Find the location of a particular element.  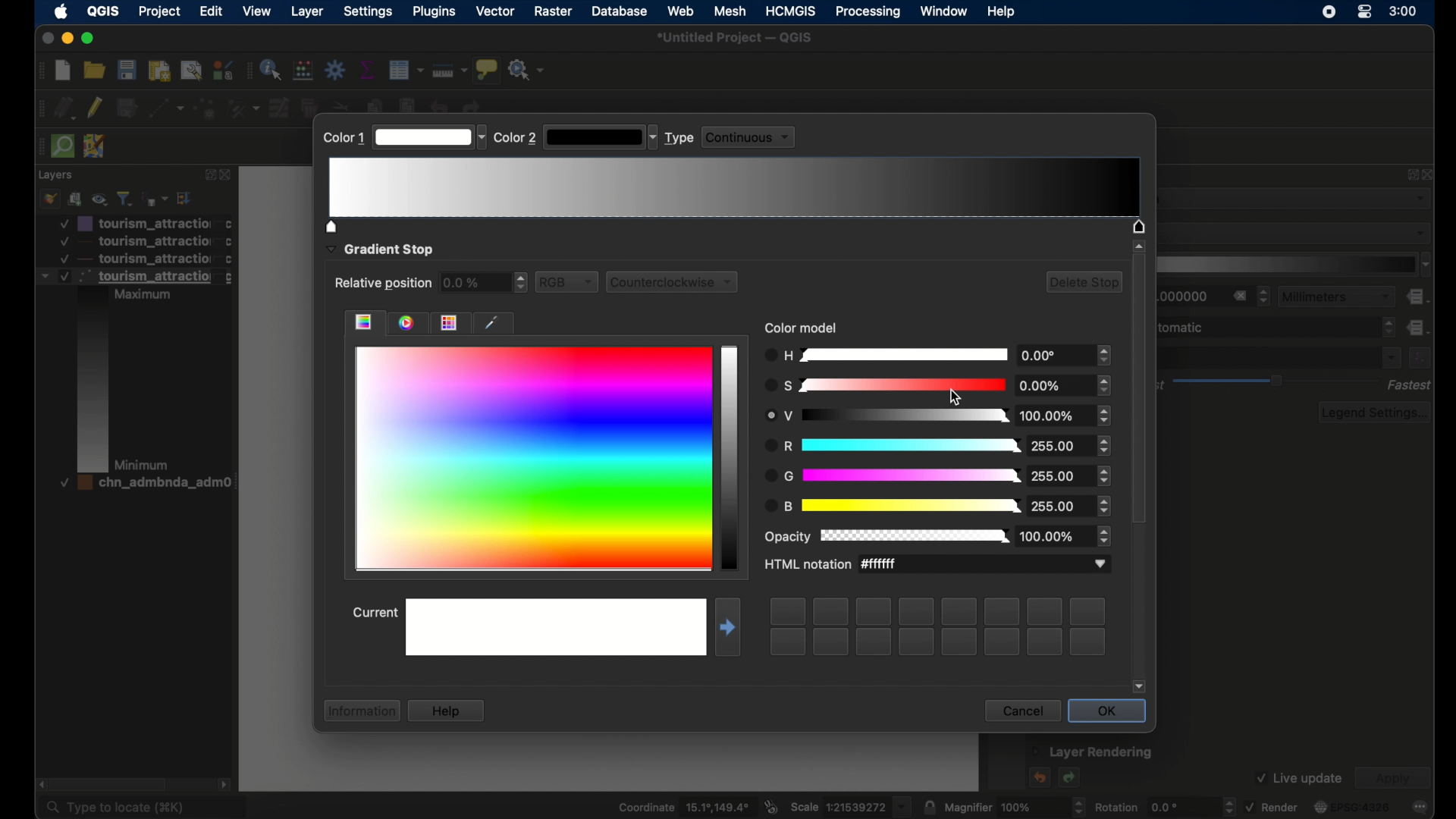

rendering quality slider is located at coordinates (1278, 381).